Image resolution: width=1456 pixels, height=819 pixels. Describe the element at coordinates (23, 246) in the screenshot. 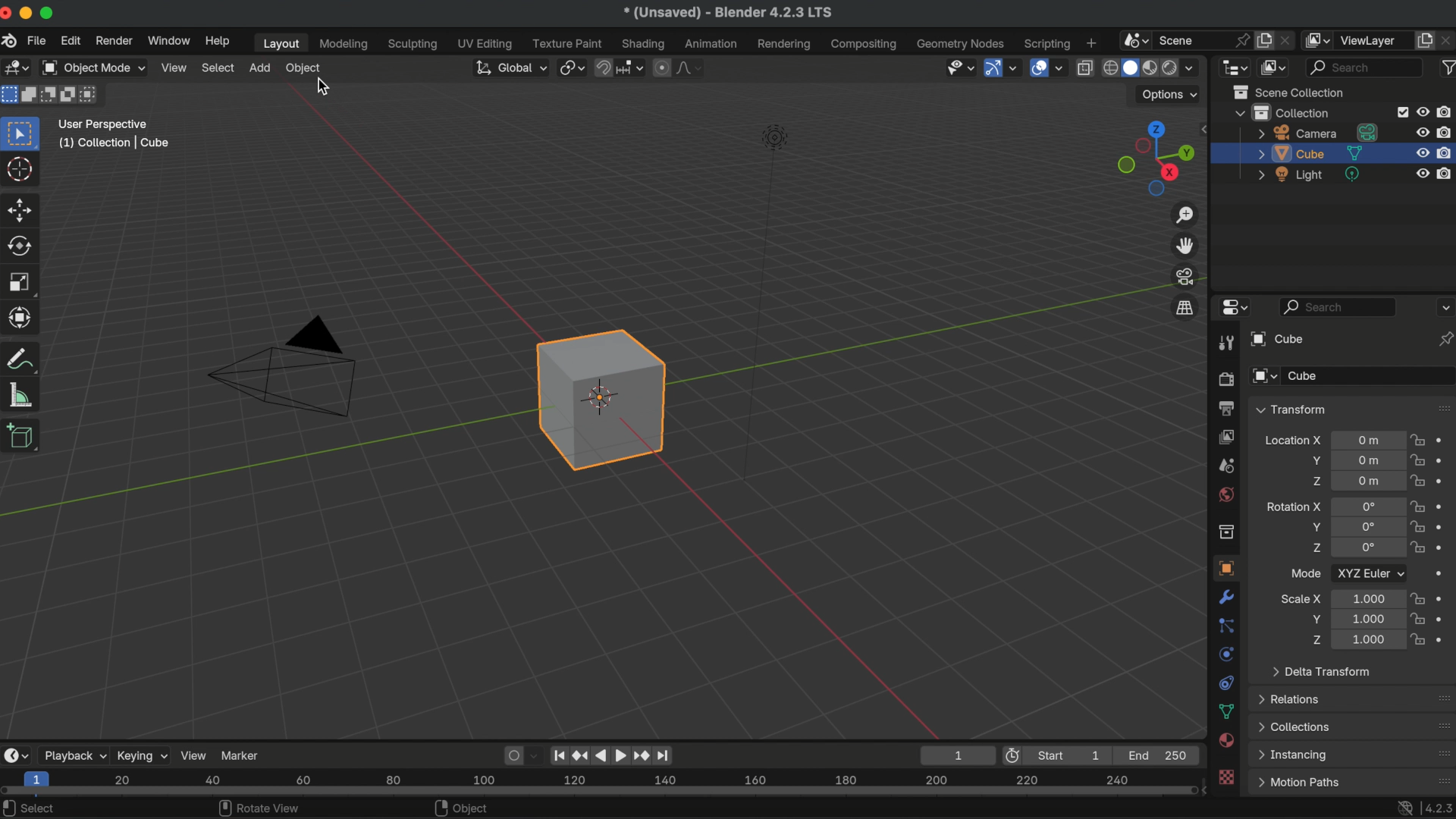

I see `rotate` at that location.